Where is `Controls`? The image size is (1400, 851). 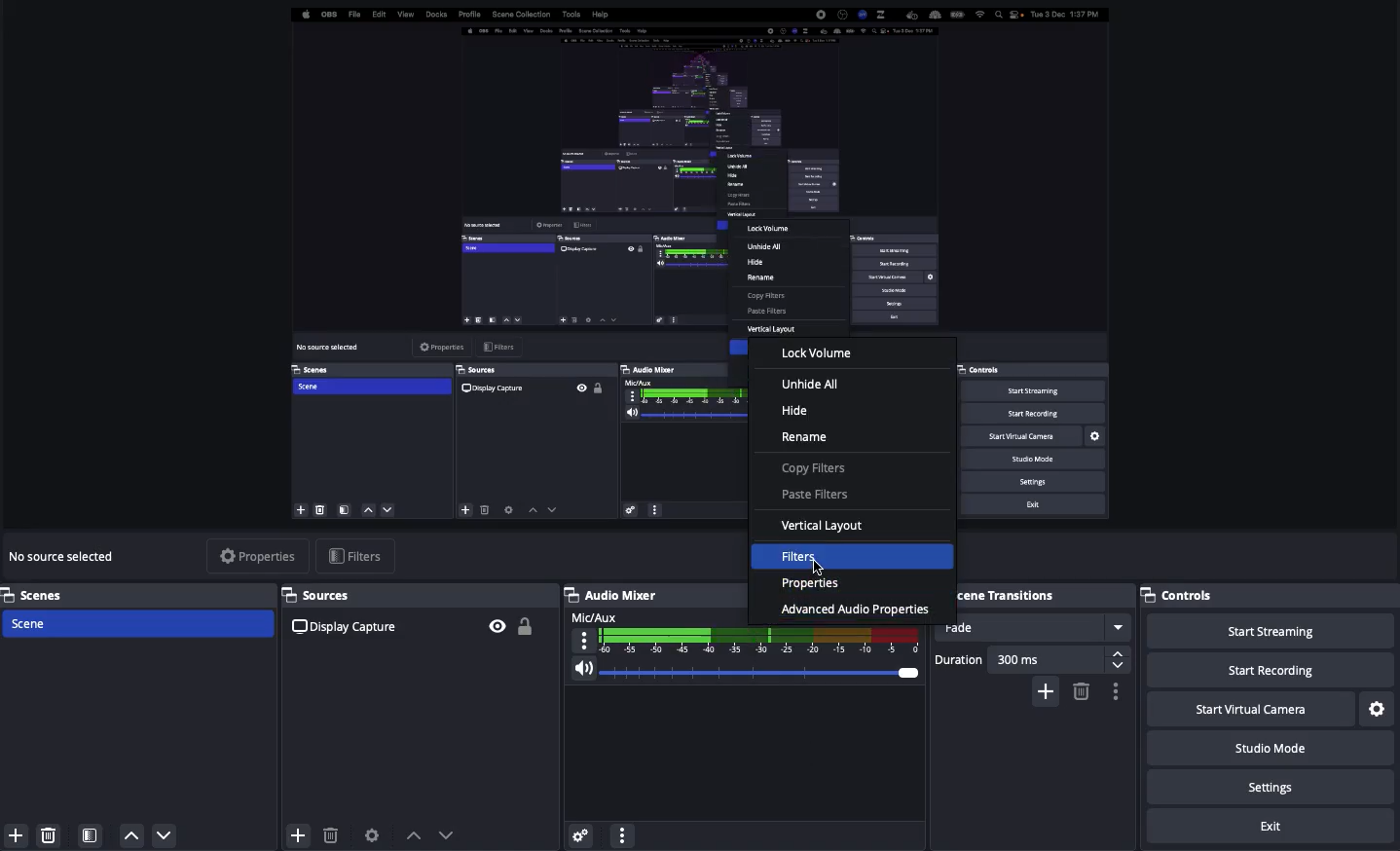 Controls is located at coordinates (1185, 595).